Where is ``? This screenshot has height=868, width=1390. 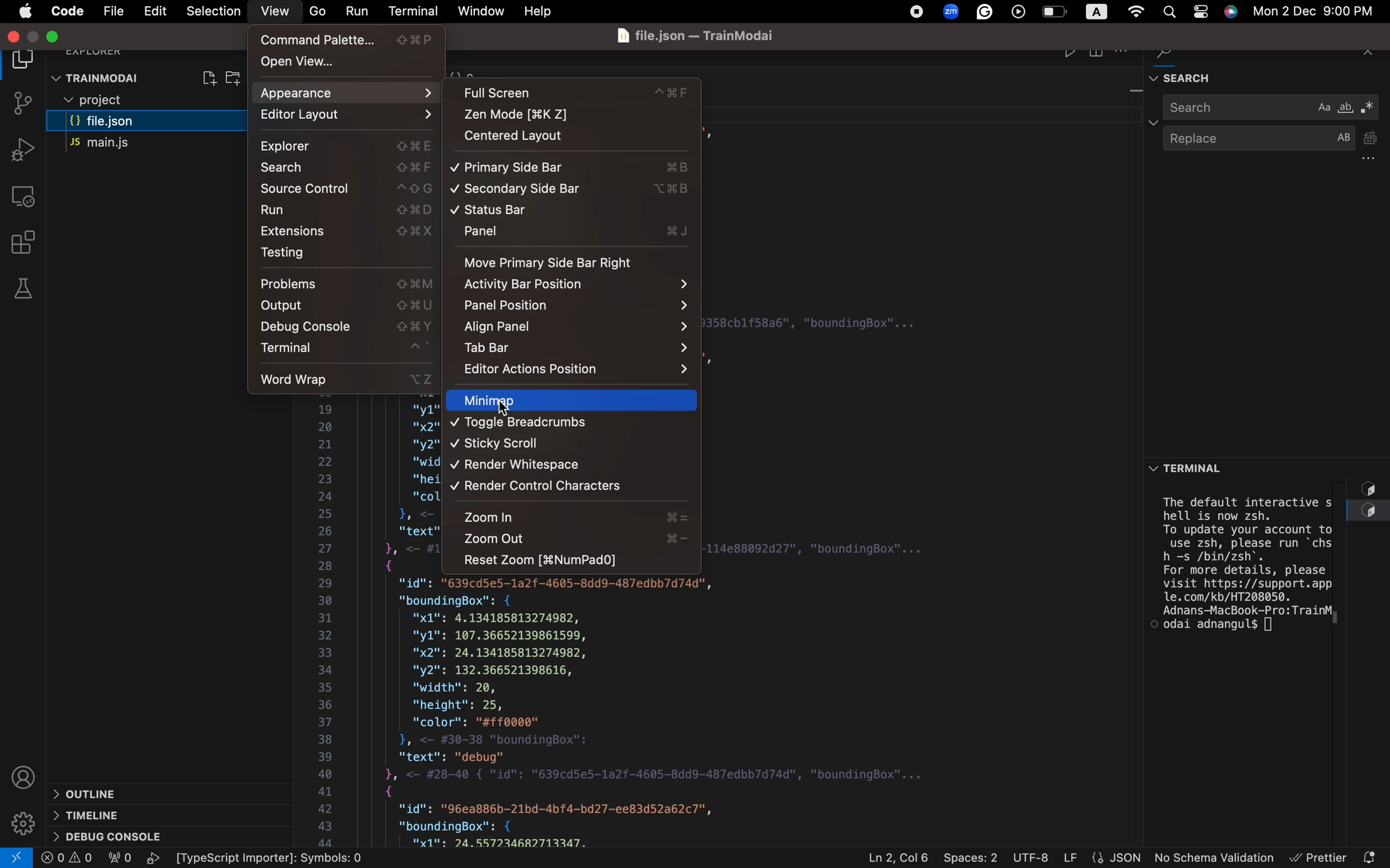
 is located at coordinates (569, 485).